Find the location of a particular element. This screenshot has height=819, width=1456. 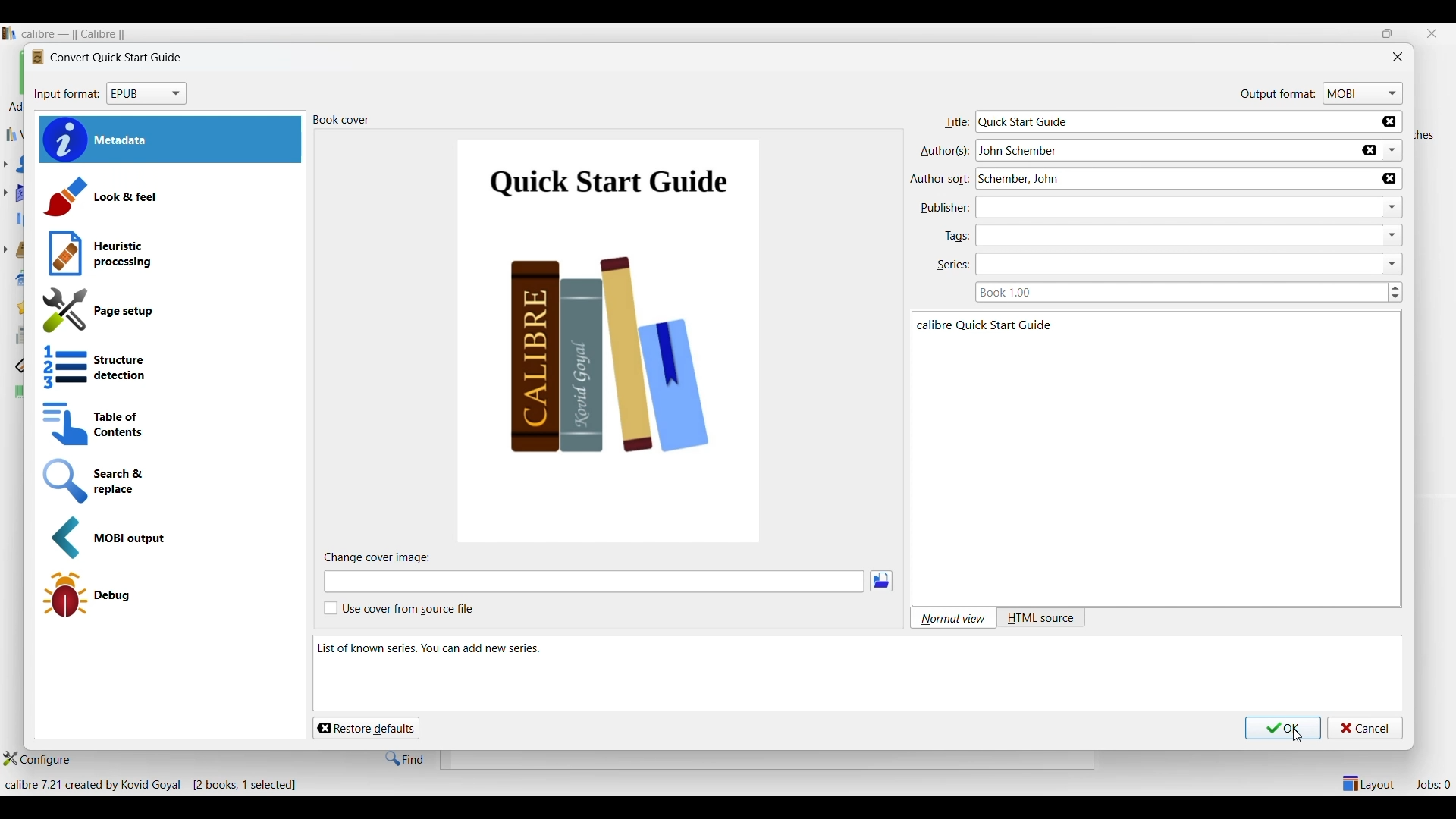

Type in publisher is located at coordinates (1171, 207).